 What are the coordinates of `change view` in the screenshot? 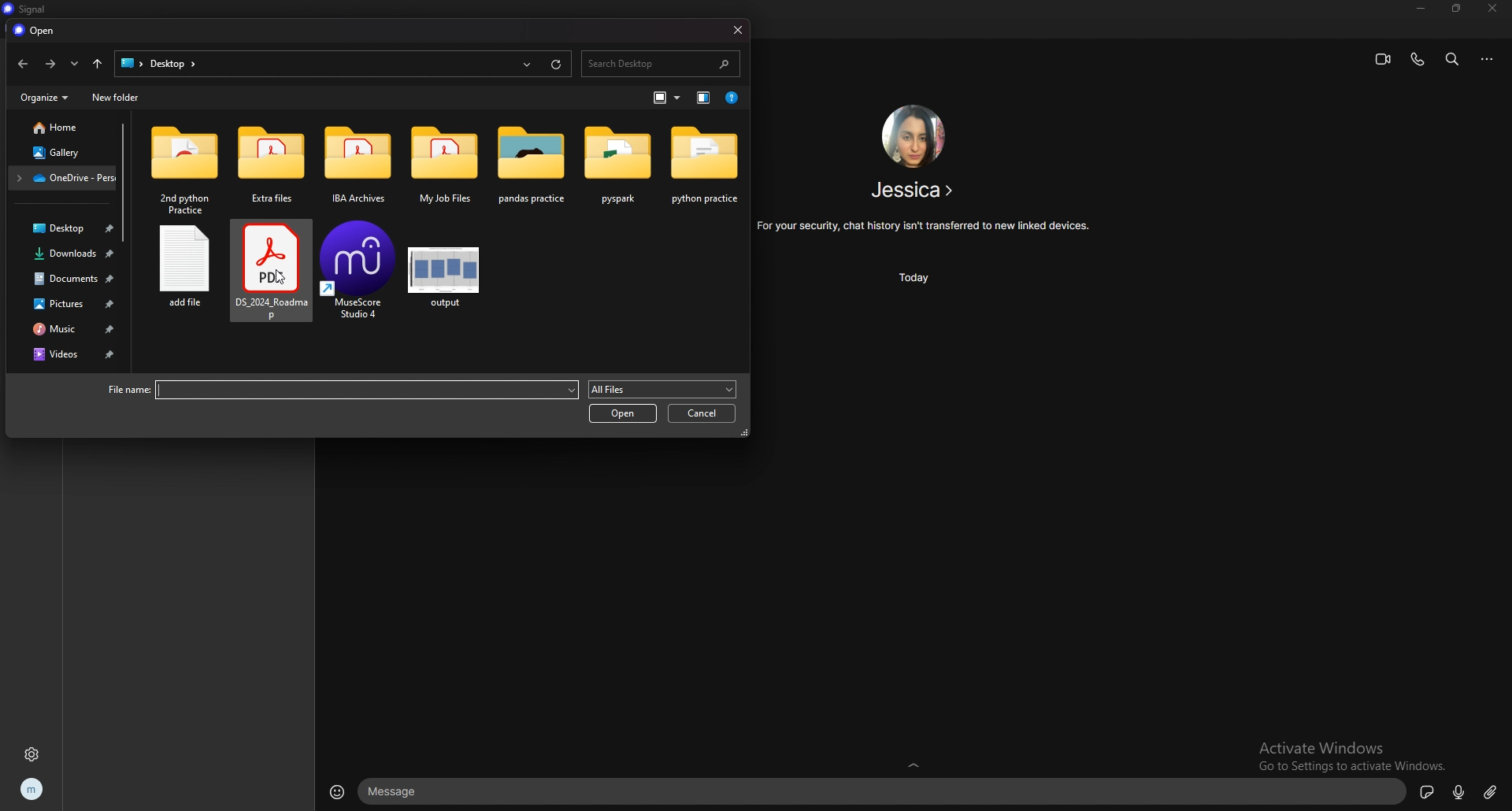 It's located at (705, 98).